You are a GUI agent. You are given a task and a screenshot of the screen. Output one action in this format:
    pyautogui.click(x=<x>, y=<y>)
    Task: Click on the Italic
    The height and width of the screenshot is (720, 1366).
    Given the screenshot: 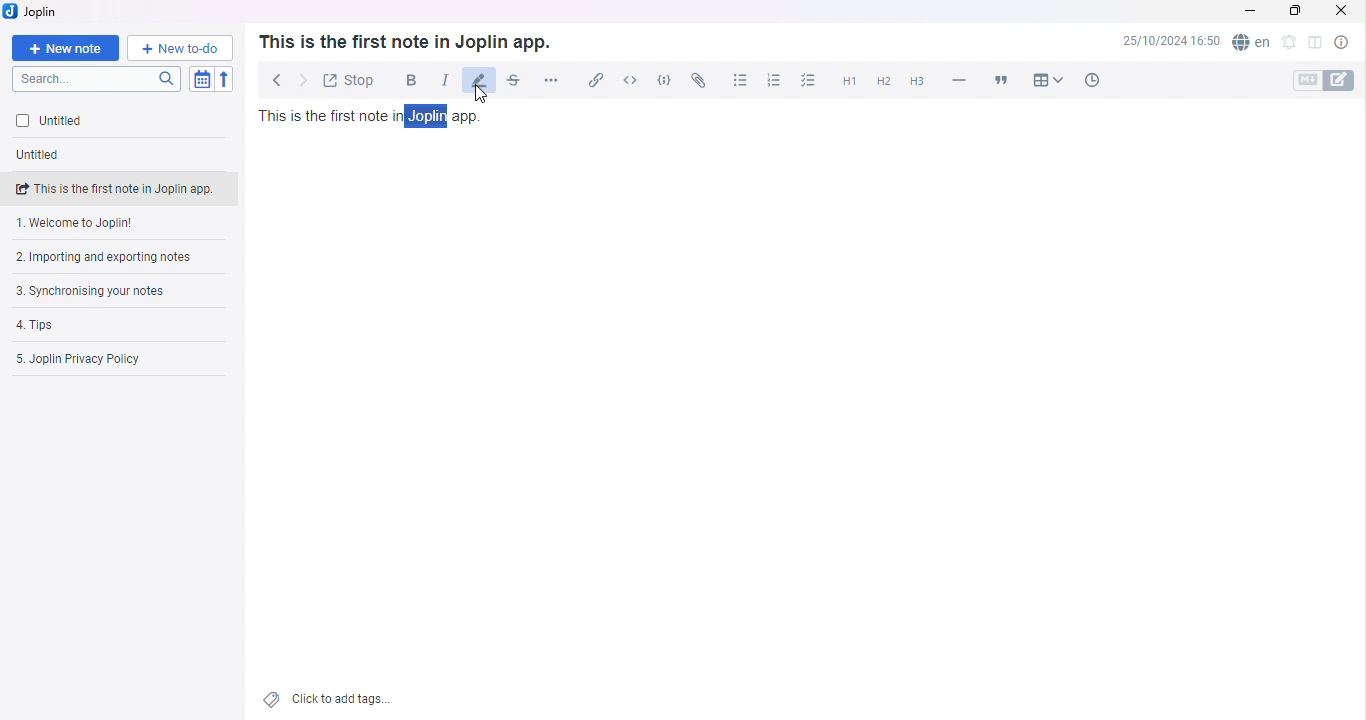 What is the action you would take?
    pyautogui.click(x=440, y=80)
    